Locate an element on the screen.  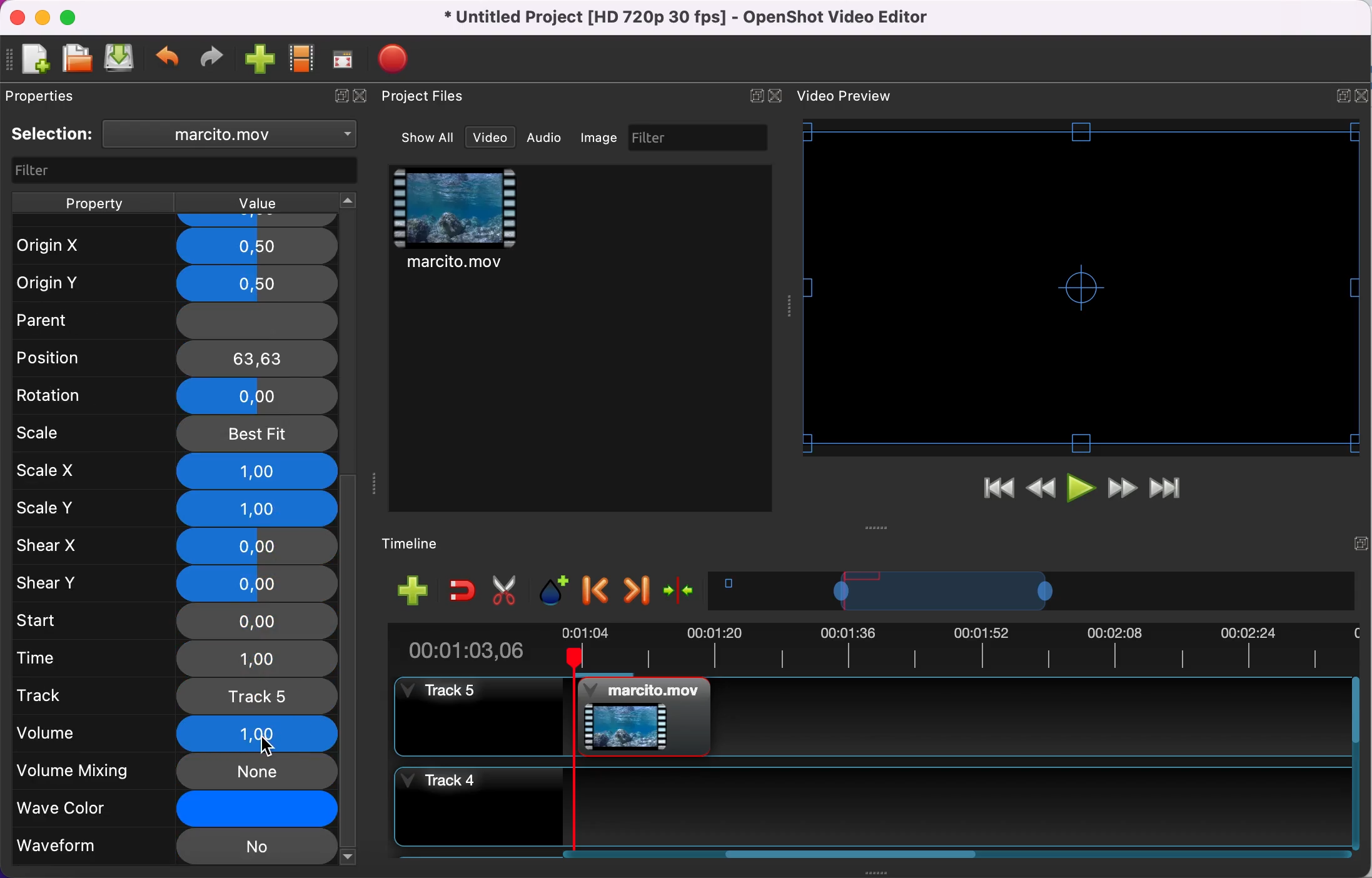
center the timeline is located at coordinates (682, 589).